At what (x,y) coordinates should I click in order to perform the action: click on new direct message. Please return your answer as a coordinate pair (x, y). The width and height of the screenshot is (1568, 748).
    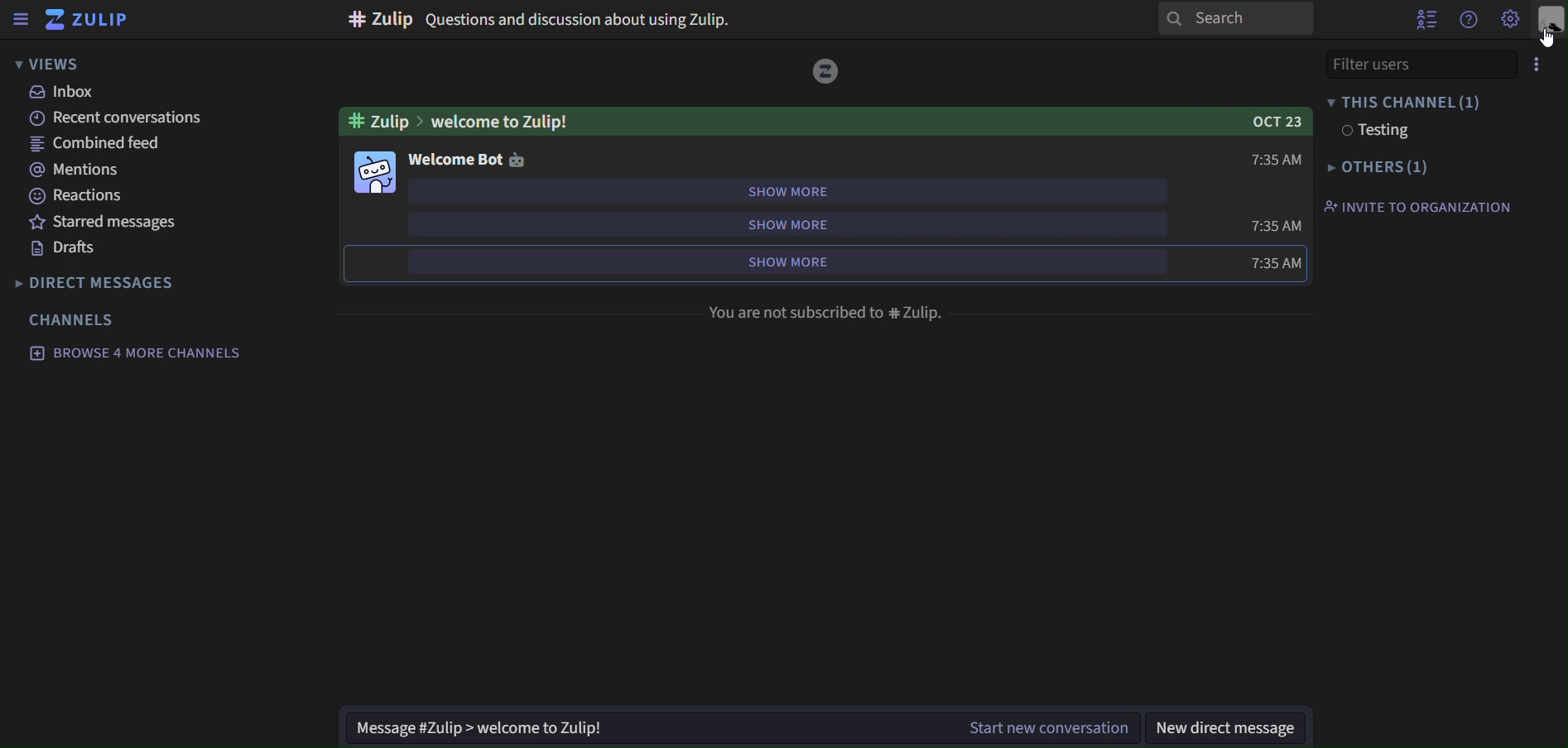
    Looking at the image, I should click on (1231, 722).